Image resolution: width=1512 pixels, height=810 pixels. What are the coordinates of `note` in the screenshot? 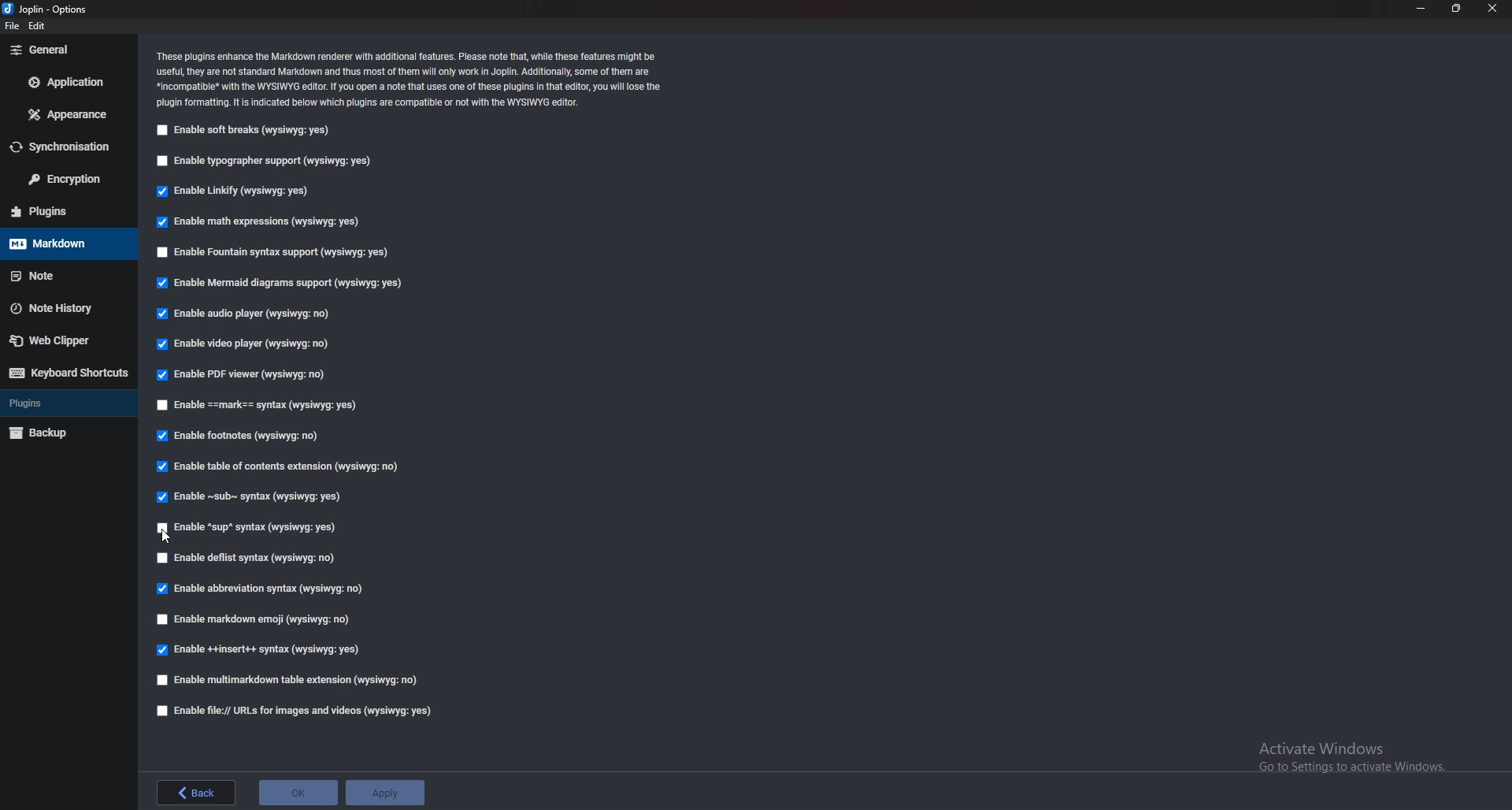 It's located at (61, 276).